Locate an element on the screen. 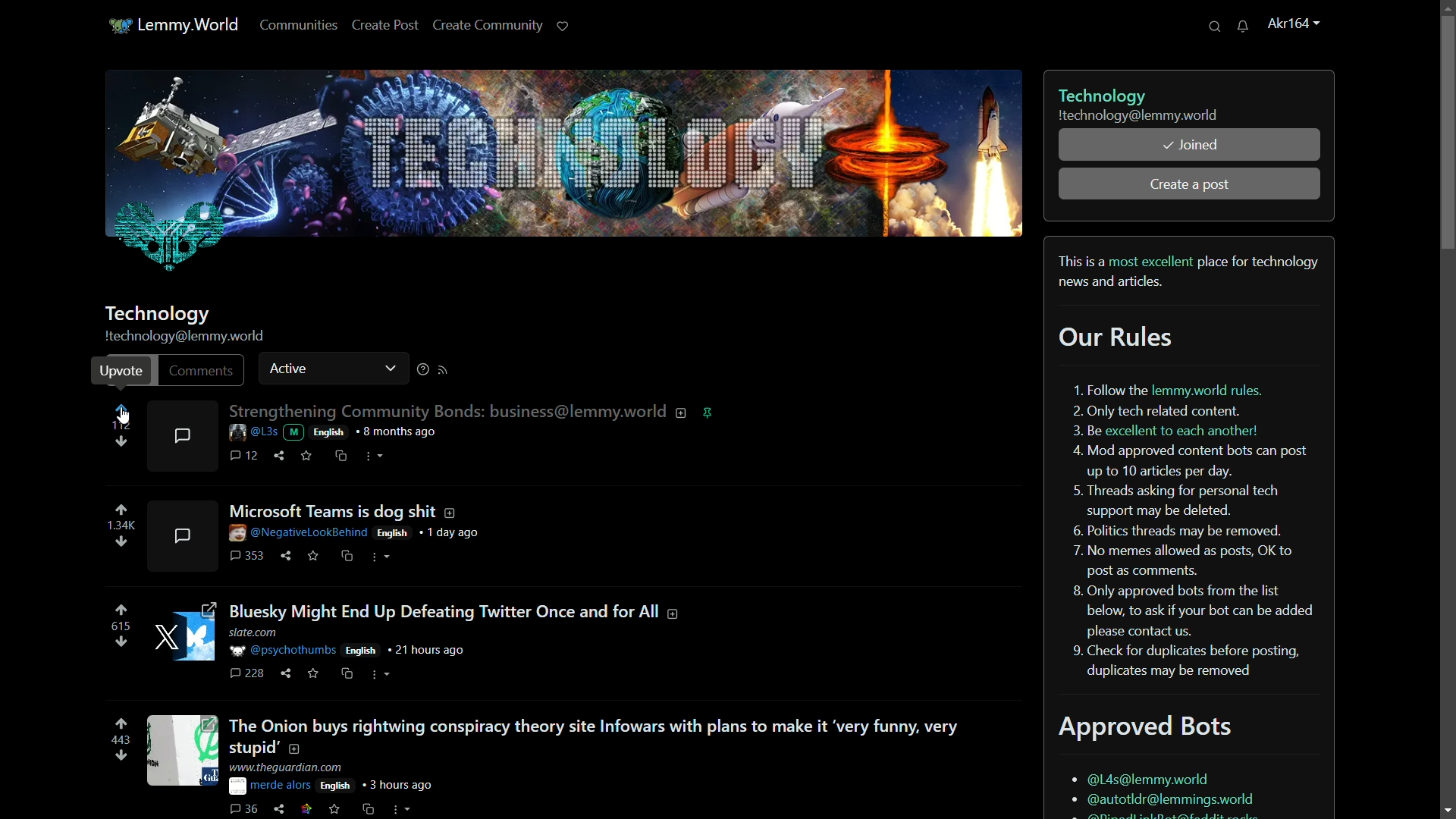 The width and height of the screenshot is (1456, 819). community username is located at coordinates (1139, 117).